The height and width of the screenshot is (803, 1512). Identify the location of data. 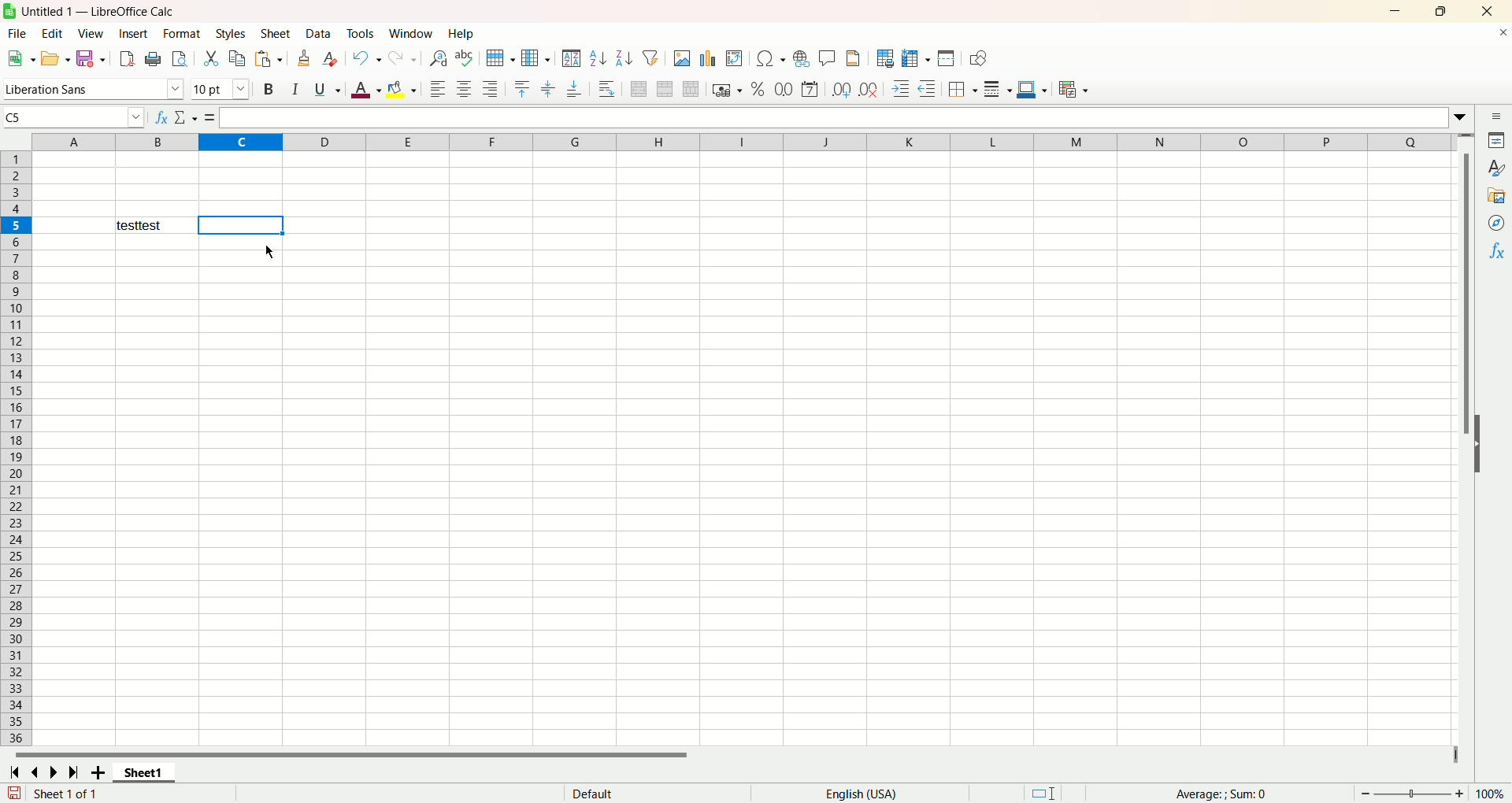
(317, 32).